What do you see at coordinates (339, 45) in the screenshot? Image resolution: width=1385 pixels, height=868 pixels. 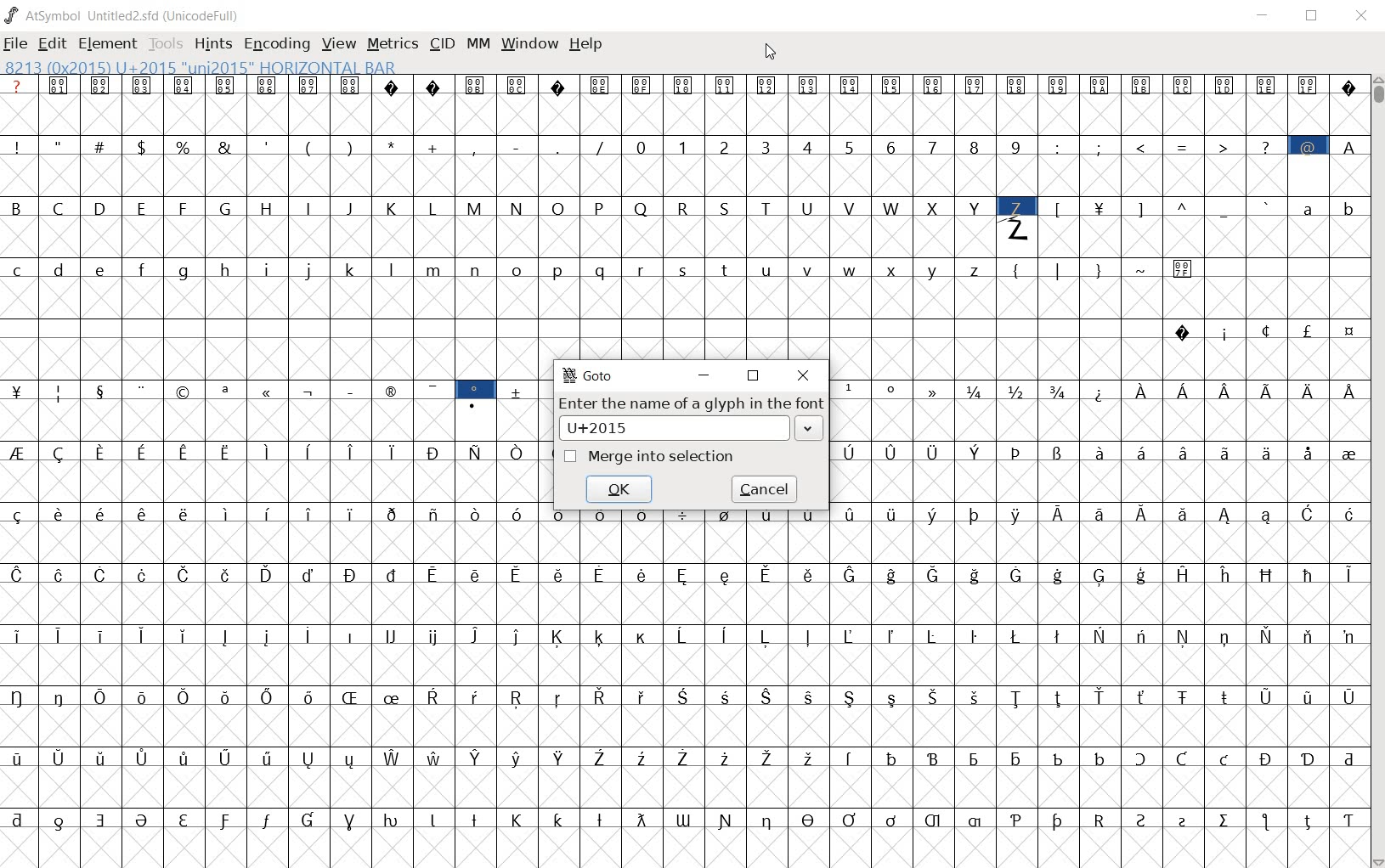 I see `VIEW` at bounding box center [339, 45].